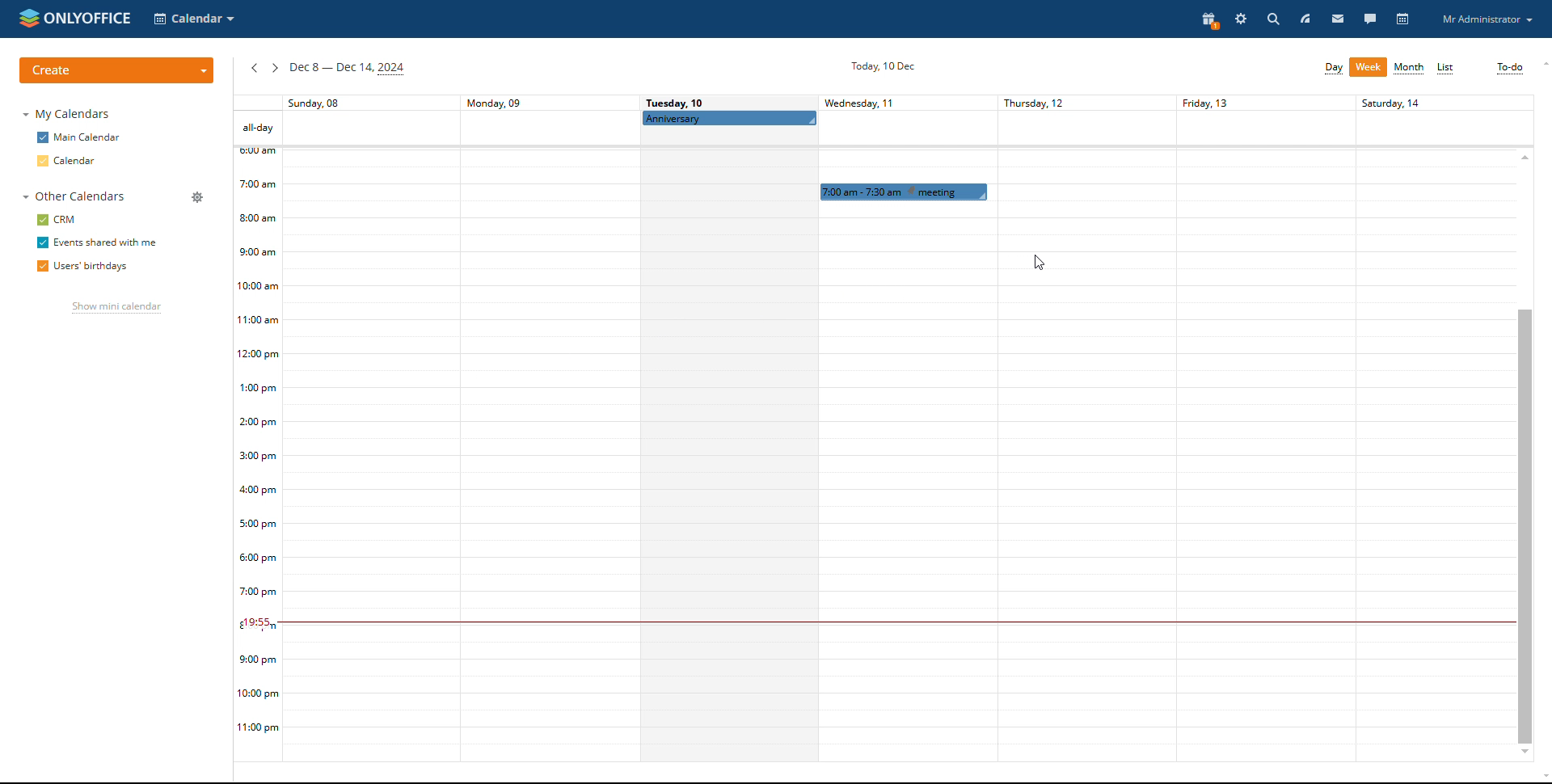  What do you see at coordinates (78, 161) in the screenshot?
I see `calendar` at bounding box center [78, 161].